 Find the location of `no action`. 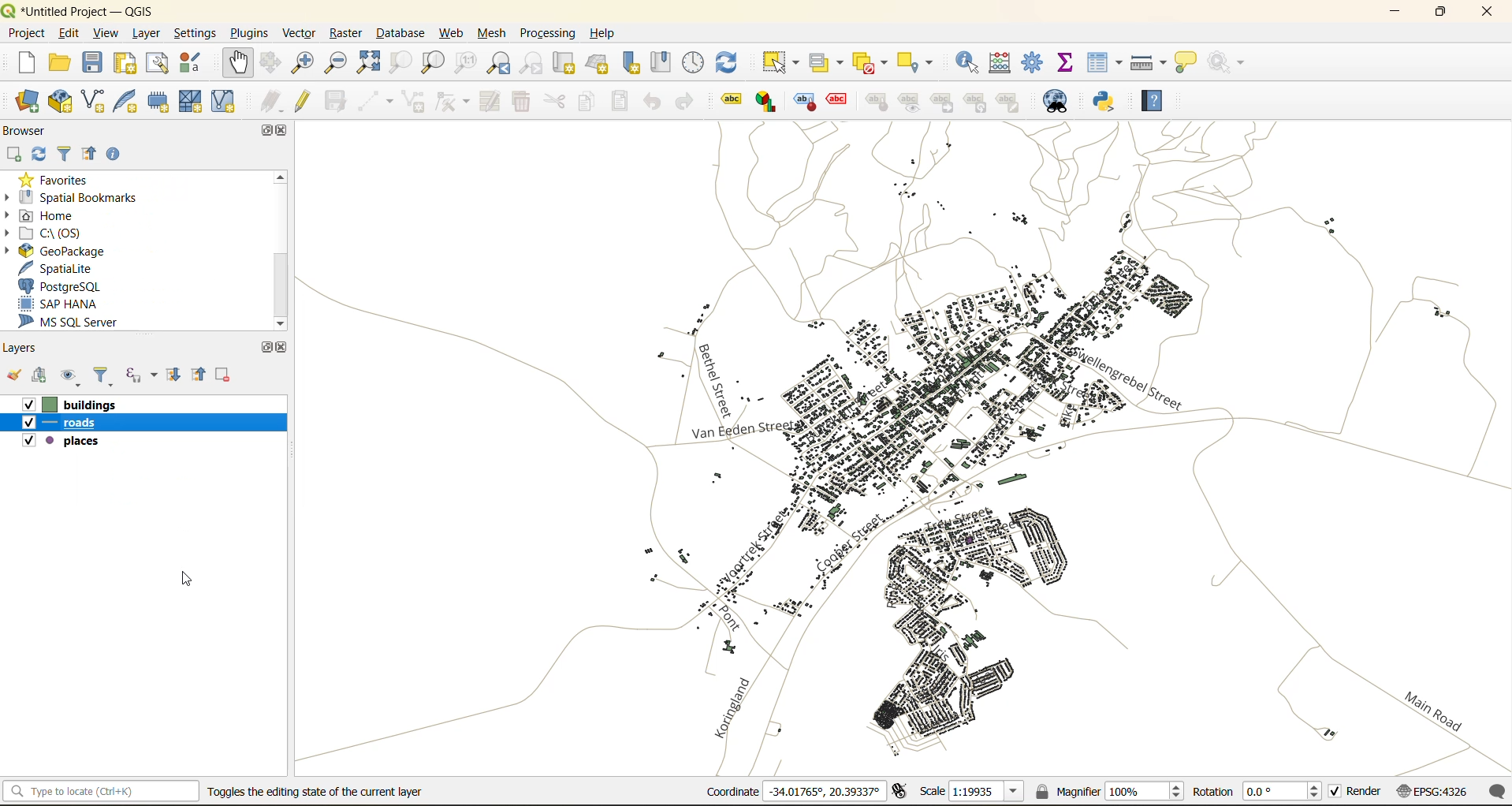

no action is located at coordinates (1230, 64).